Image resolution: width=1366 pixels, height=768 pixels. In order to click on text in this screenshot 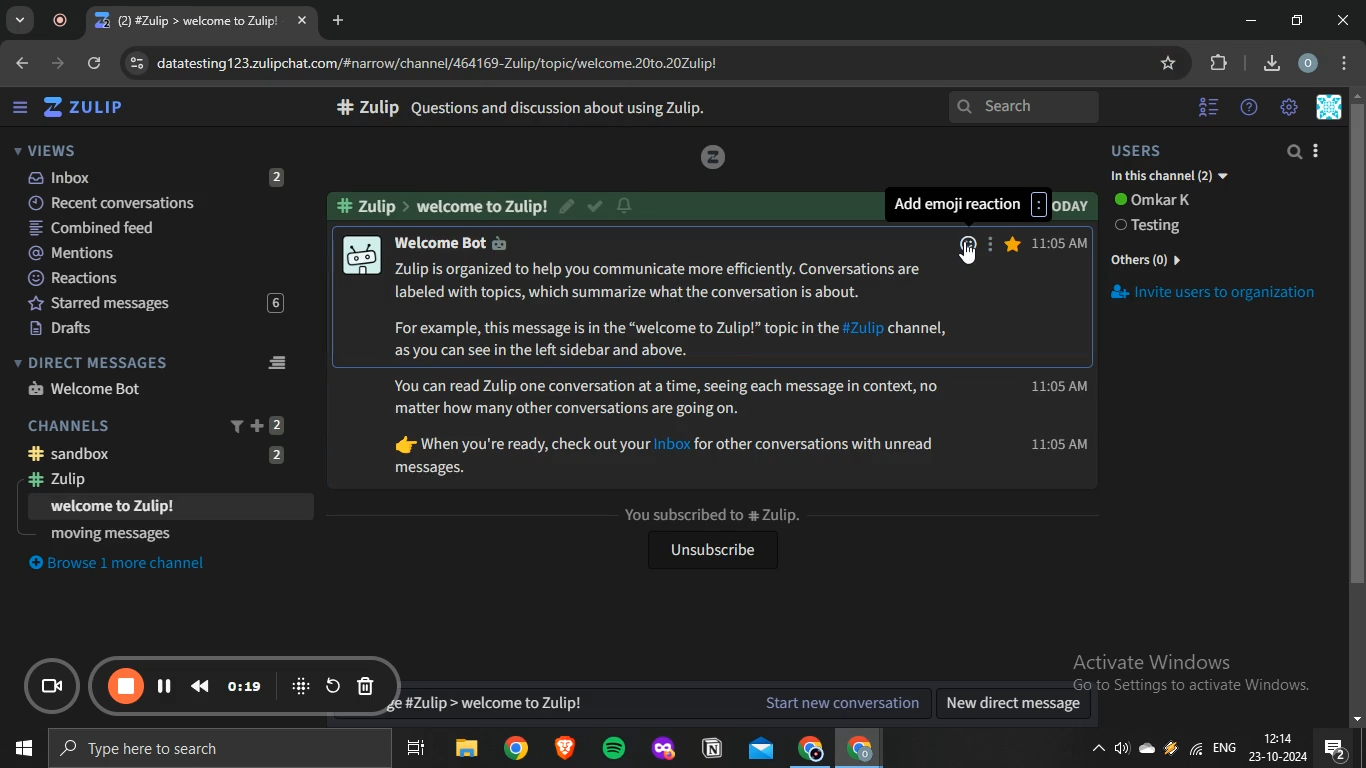, I will do `click(1157, 200)`.